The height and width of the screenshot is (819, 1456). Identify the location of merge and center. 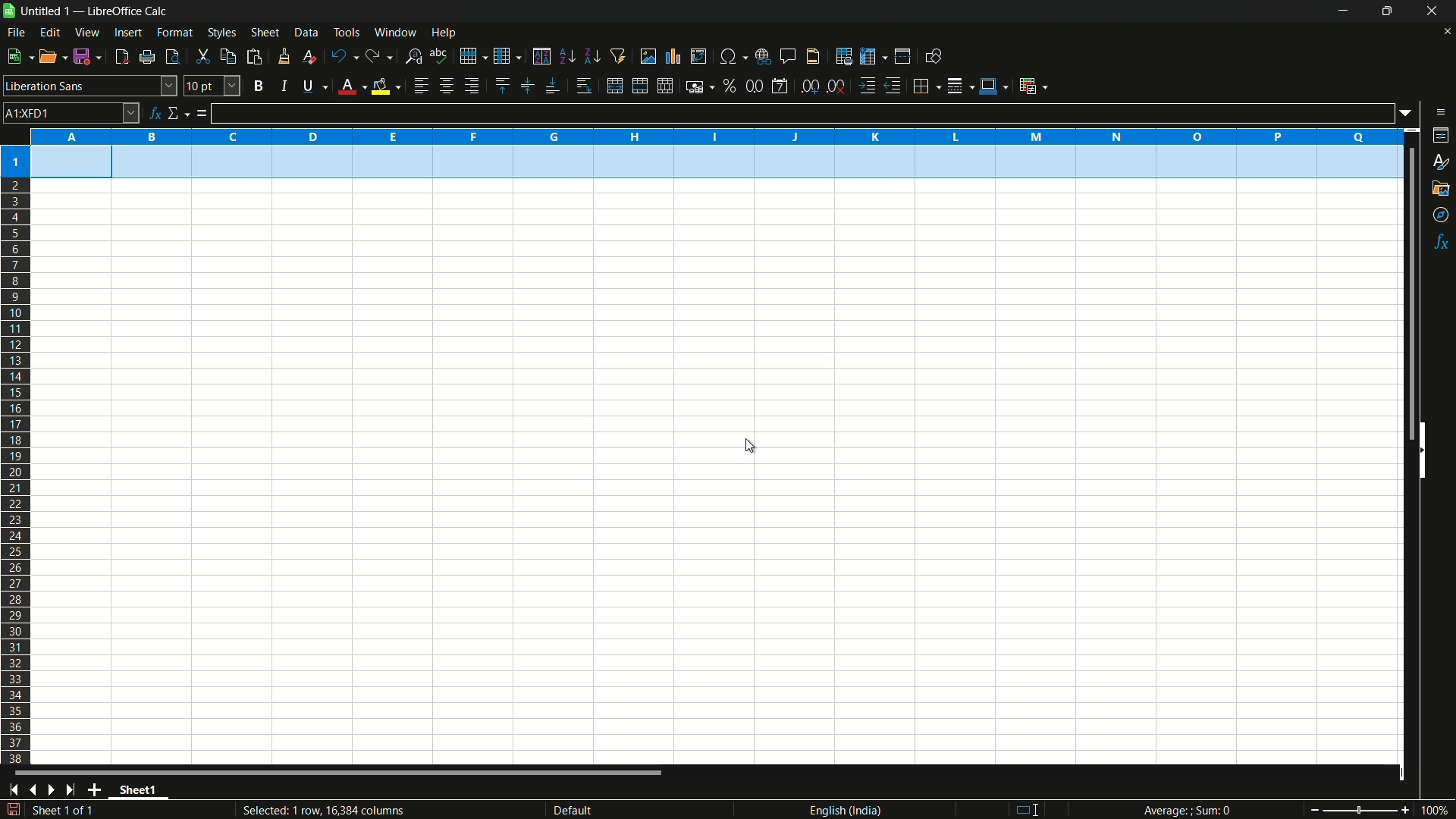
(638, 86).